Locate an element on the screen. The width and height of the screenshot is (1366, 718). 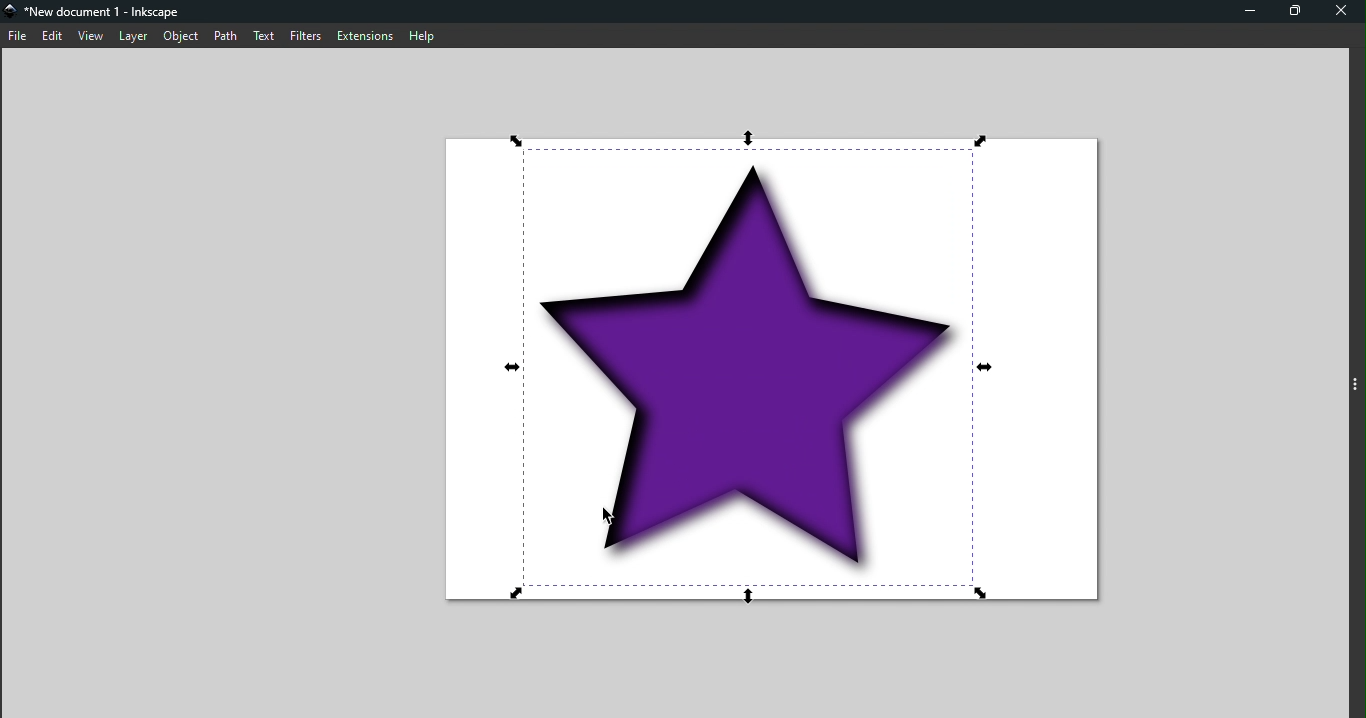
Maximize is located at coordinates (1301, 10).